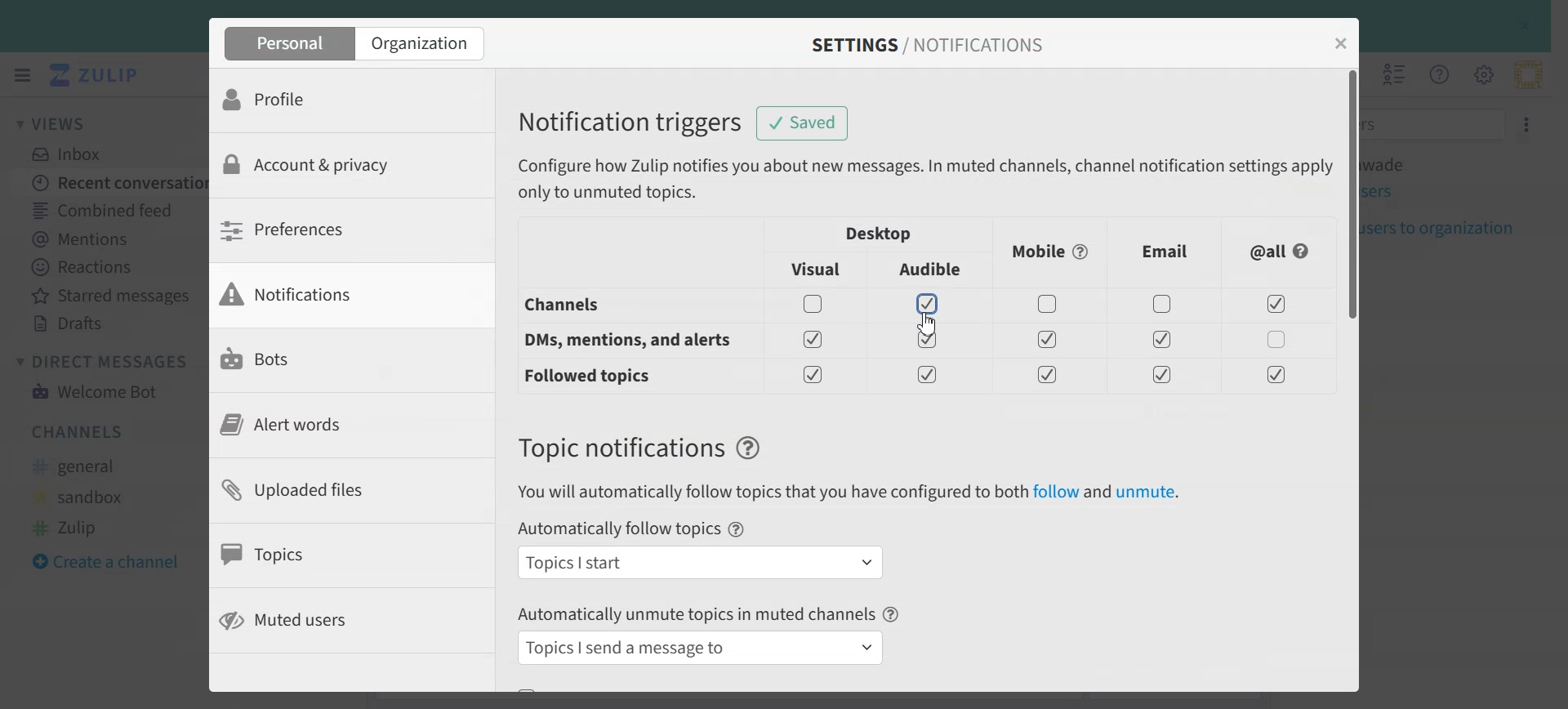 Image resolution: width=1568 pixels, height=709 pixels. What do you see at coordinates (1528, 123) in the screenshot?
I see `Settings` at bounding box center [1528, 123].